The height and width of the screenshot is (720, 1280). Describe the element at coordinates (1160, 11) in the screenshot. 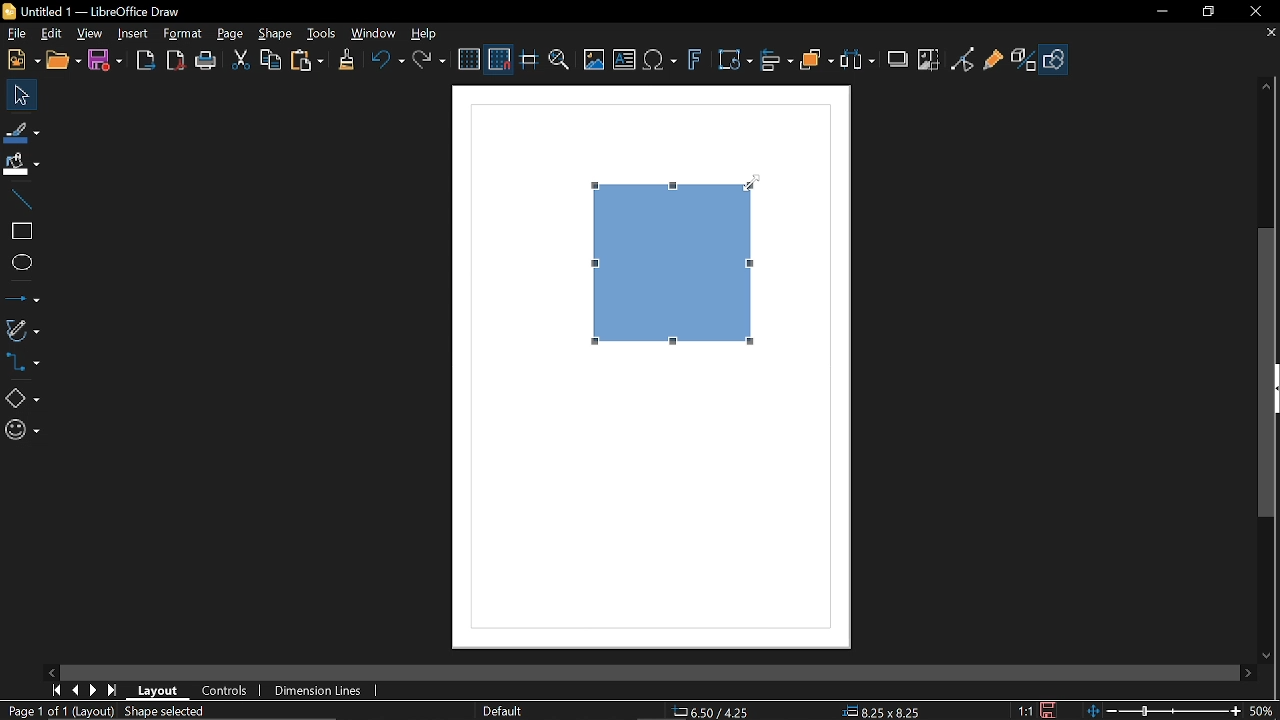

I see `Minimize` at that location.